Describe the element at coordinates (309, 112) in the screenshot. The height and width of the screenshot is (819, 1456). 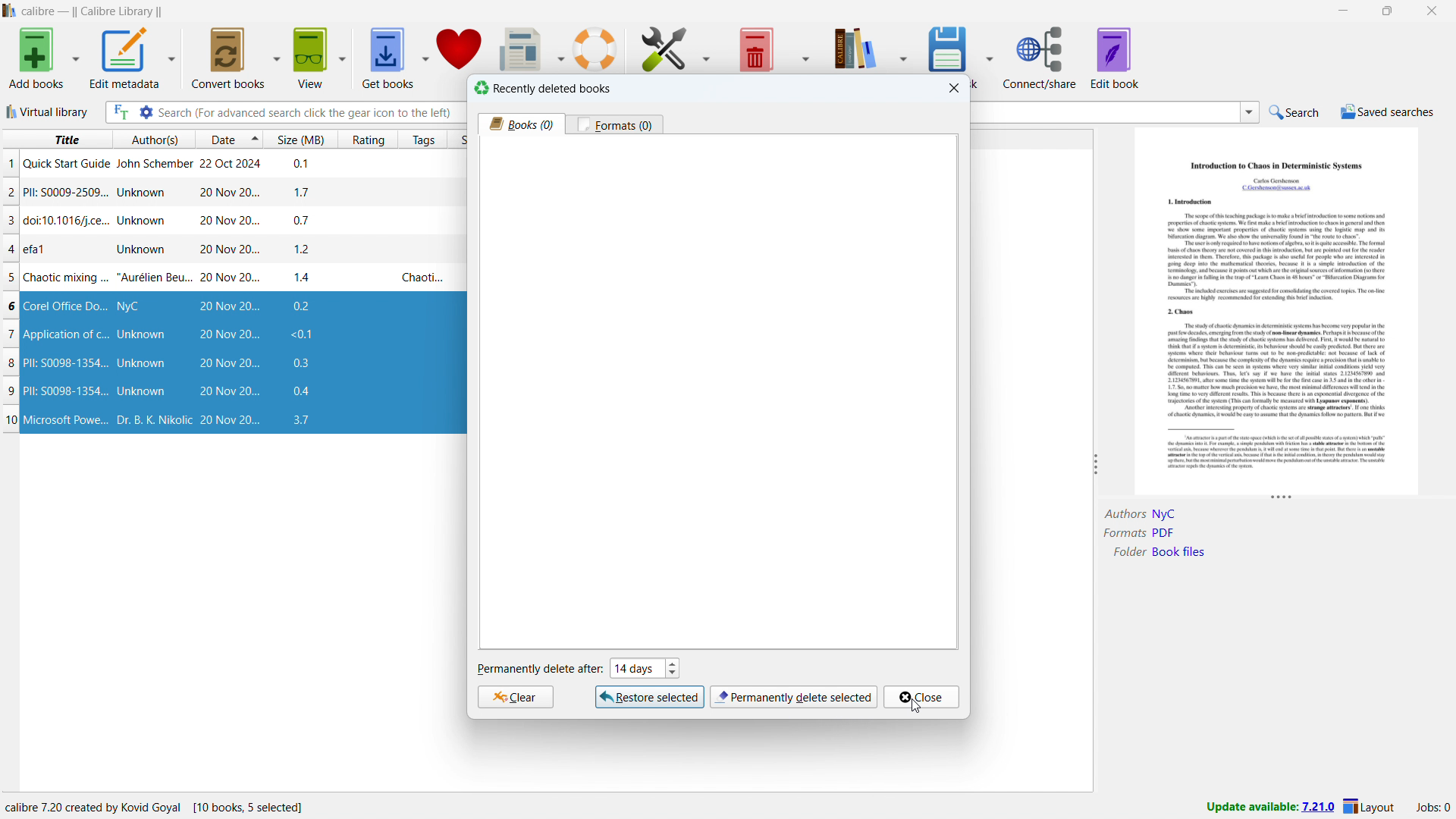
I see `enter search string` at that location.